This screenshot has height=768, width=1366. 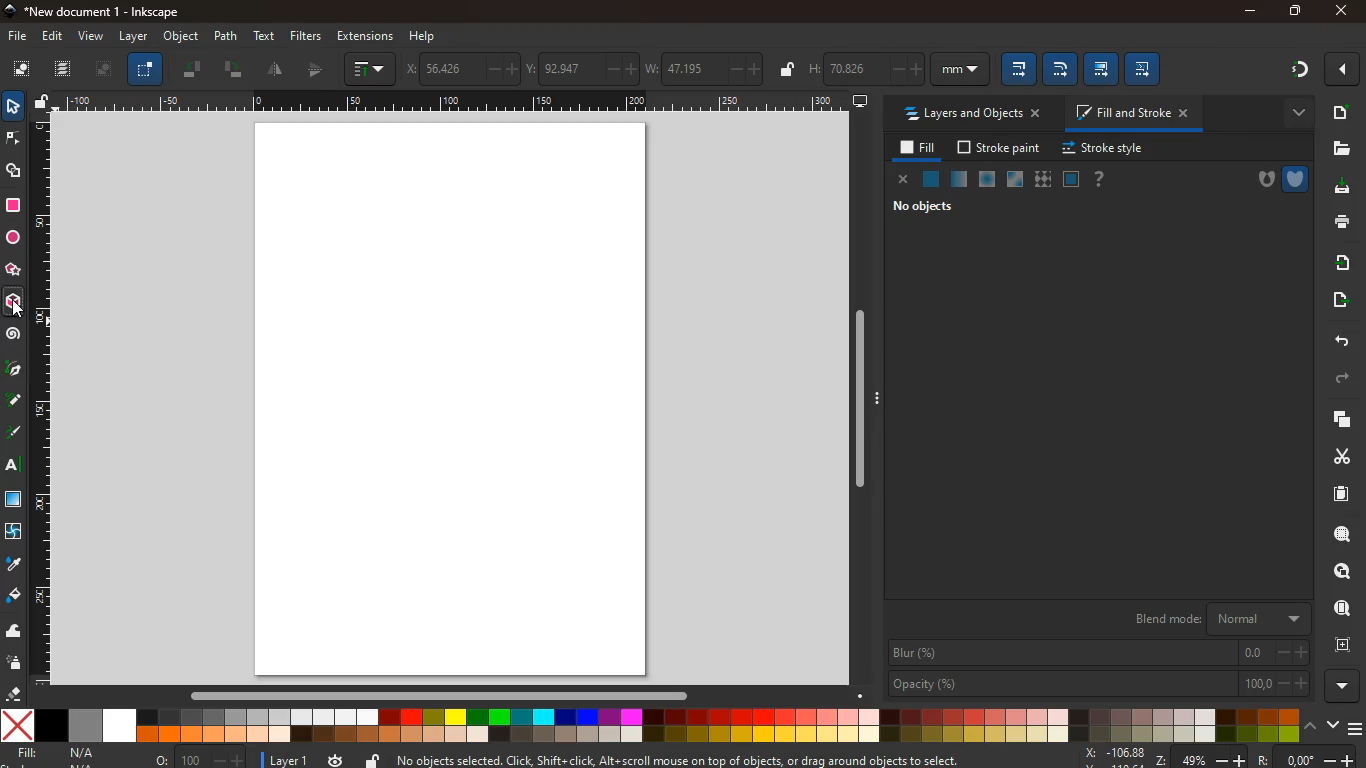 What do you see at coordinates (13, 404) in the screenshot?
I see `draw` at bounding box center [13, 404].